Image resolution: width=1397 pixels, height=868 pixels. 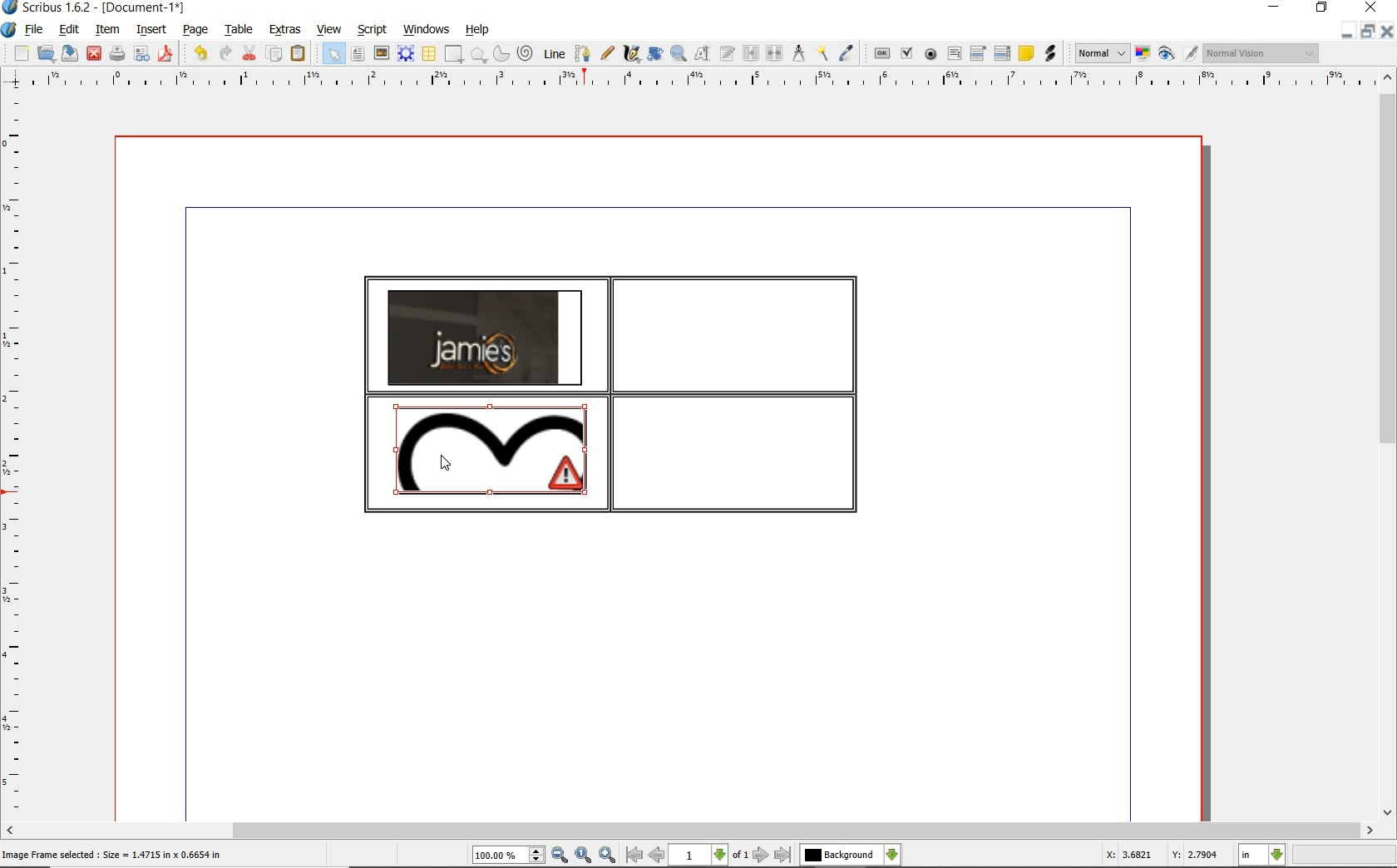 I want to click on insert, so click(x=150, y=31).